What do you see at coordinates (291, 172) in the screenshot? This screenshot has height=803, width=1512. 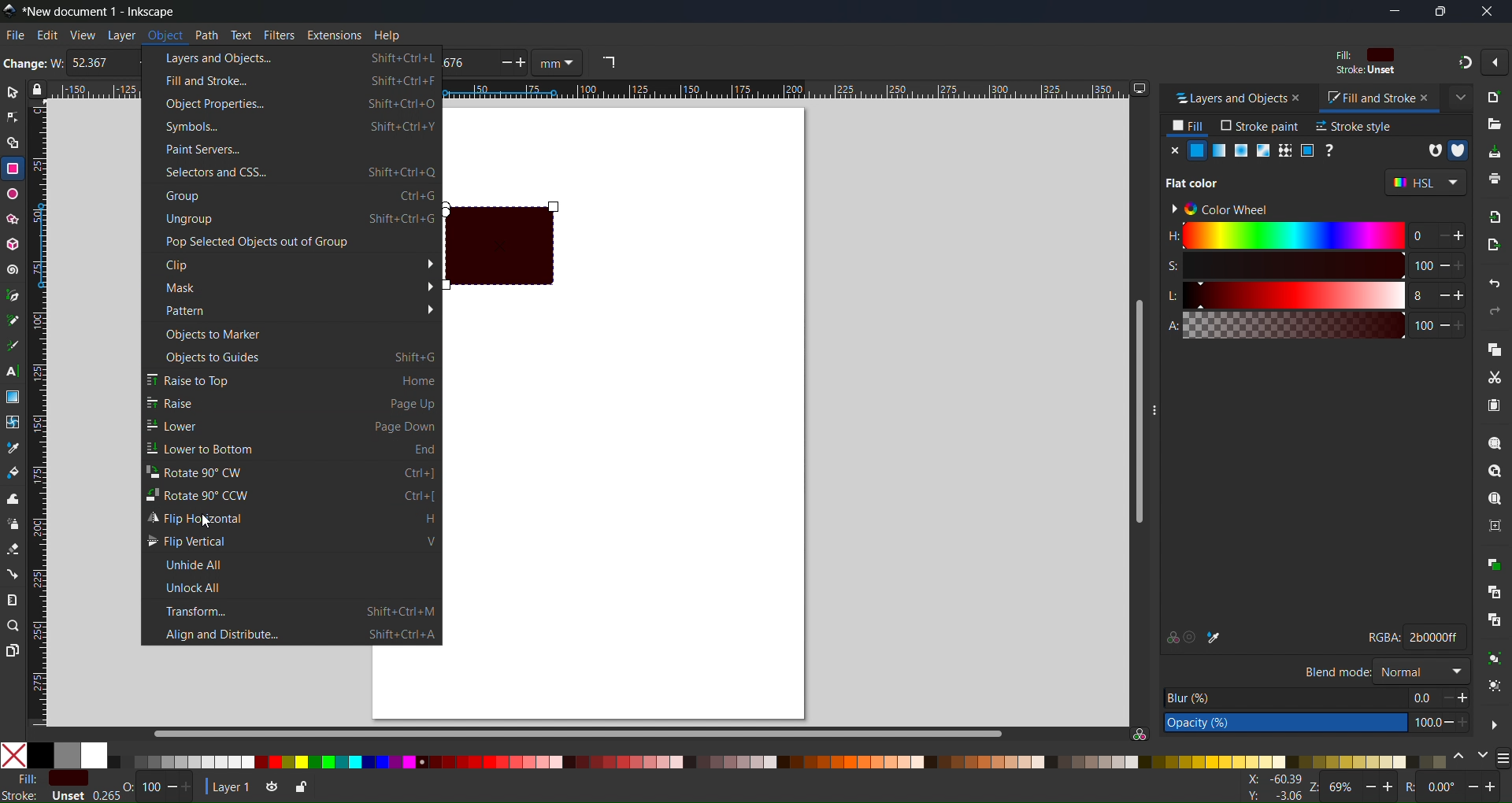 I see `Selectors and CSS` at bounding box center [291, 172].